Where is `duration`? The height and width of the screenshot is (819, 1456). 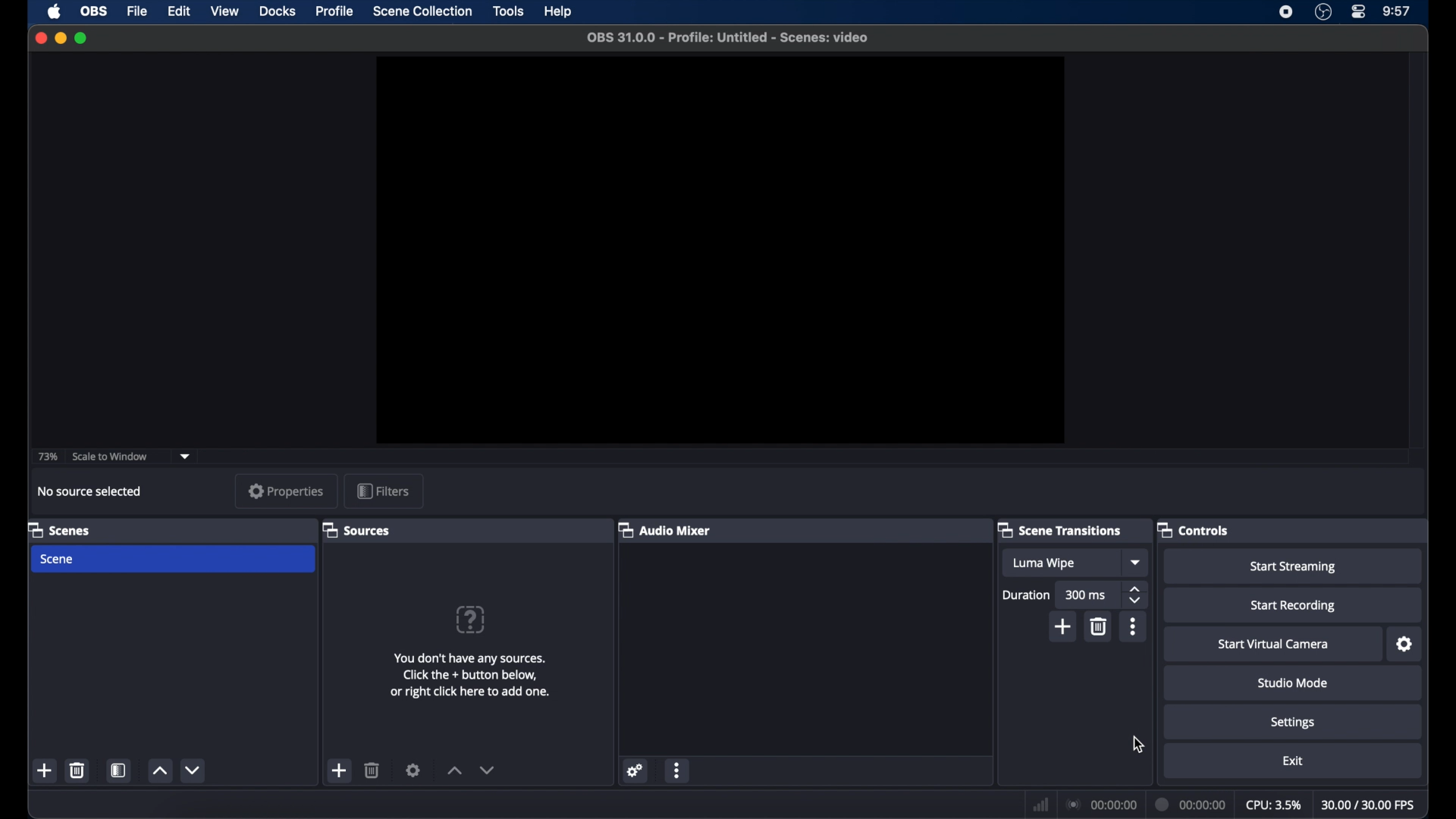
duration is located at coordinates (1192, 806).